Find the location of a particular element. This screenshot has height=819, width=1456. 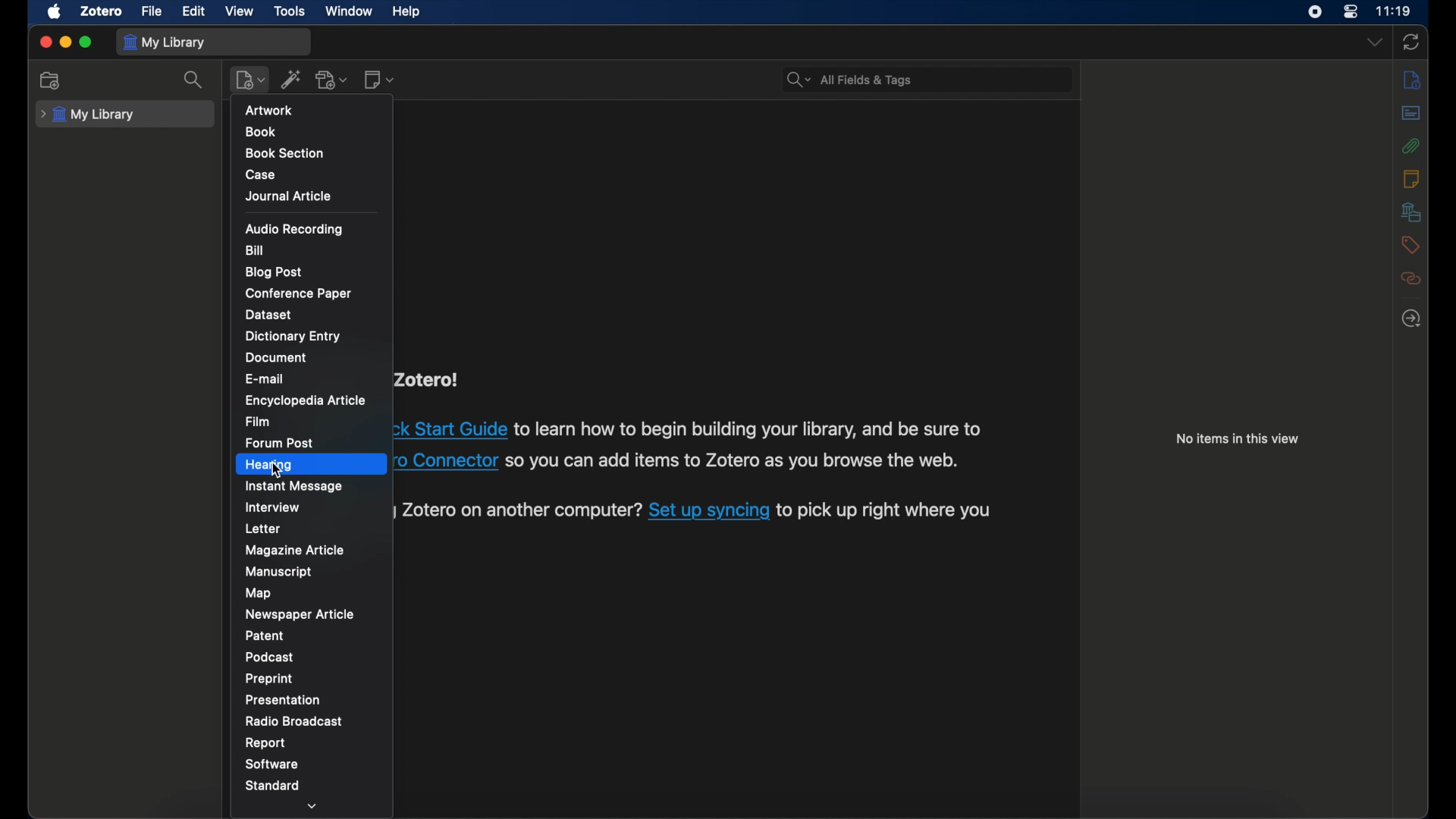

maximize is located at coordinates (86, 42).